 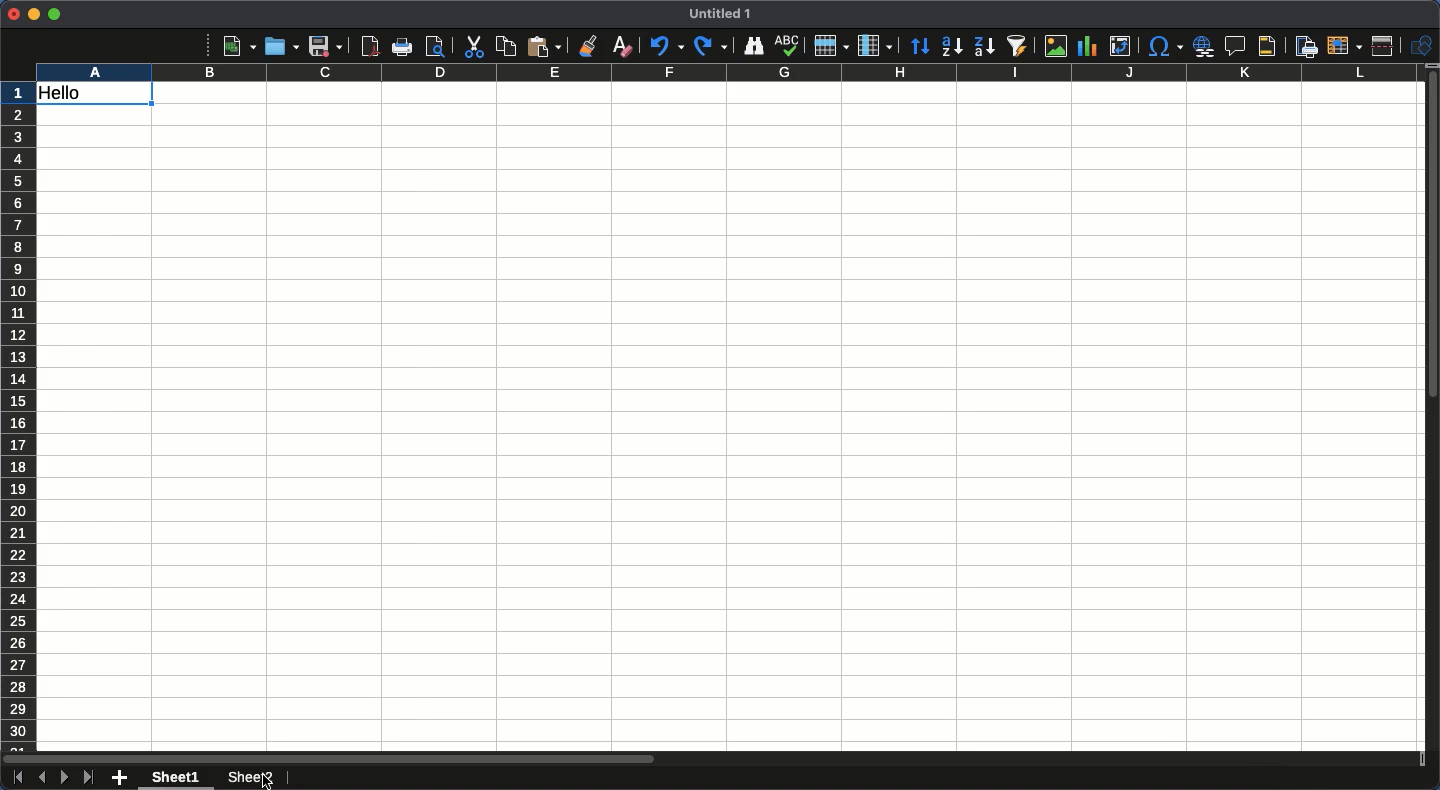 I want to click on A1 selected, so click(x=95, y=95).